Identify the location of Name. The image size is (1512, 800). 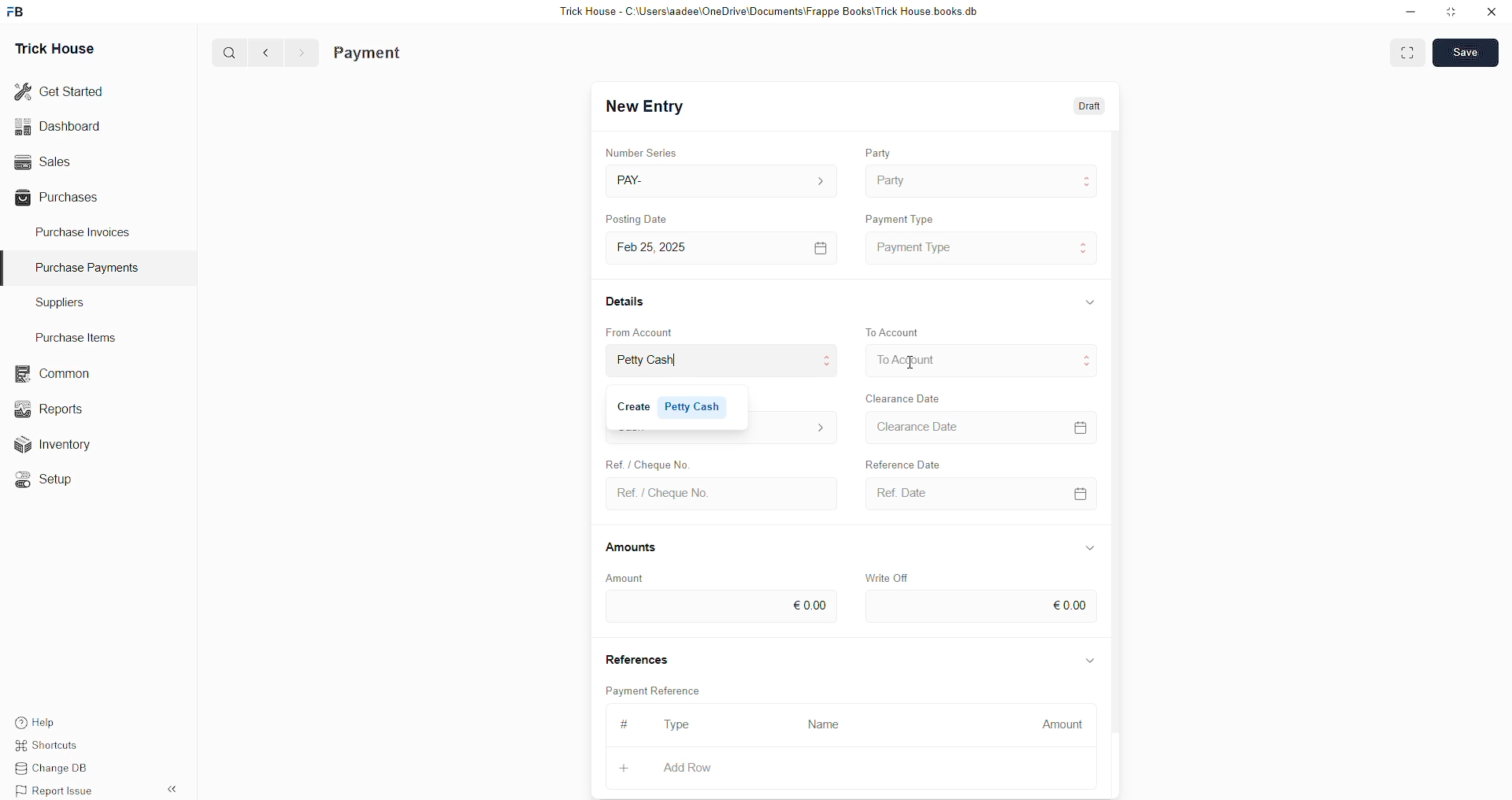
(828, 724).